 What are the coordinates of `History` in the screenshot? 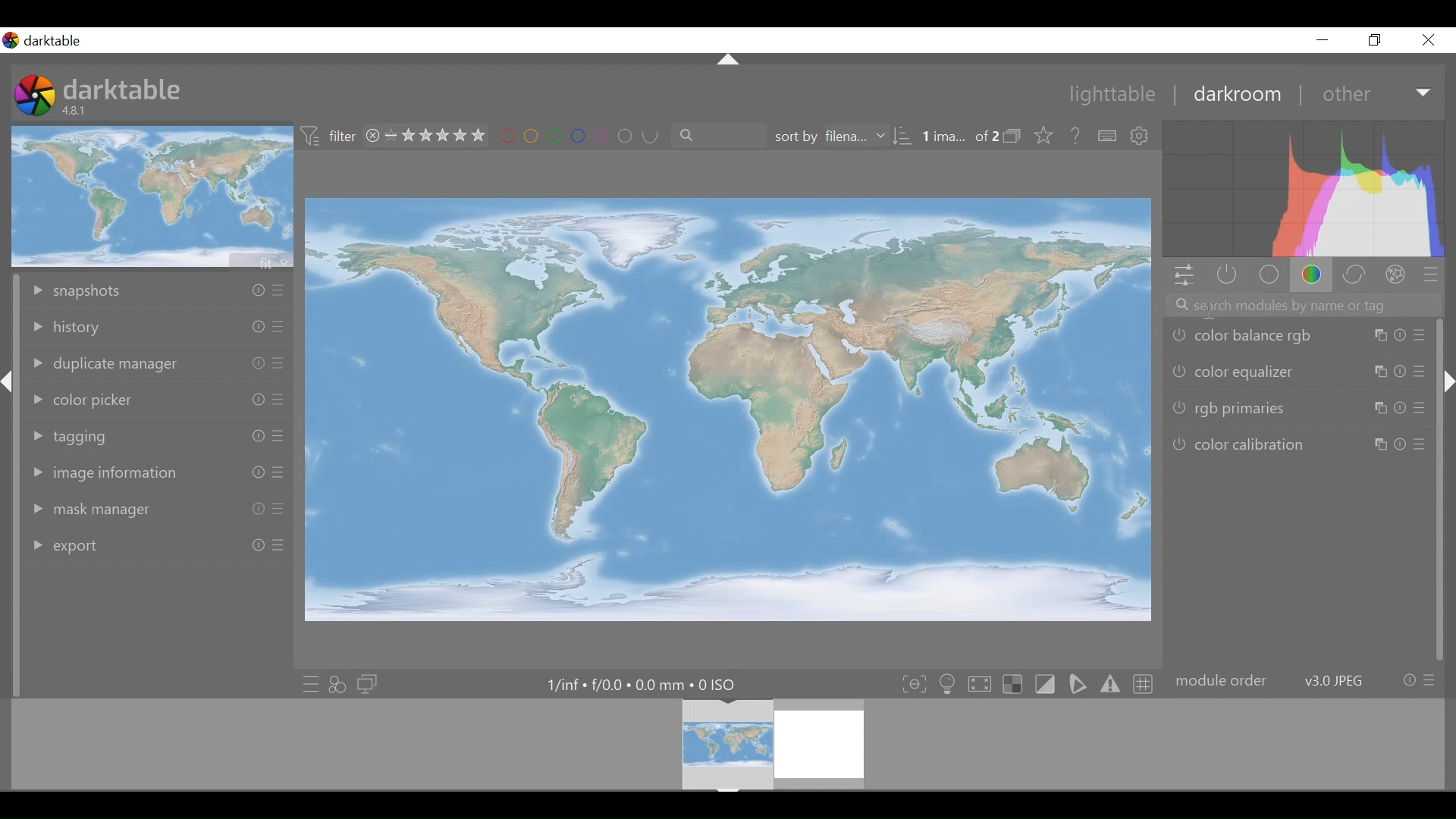 It's located at (157, 327).